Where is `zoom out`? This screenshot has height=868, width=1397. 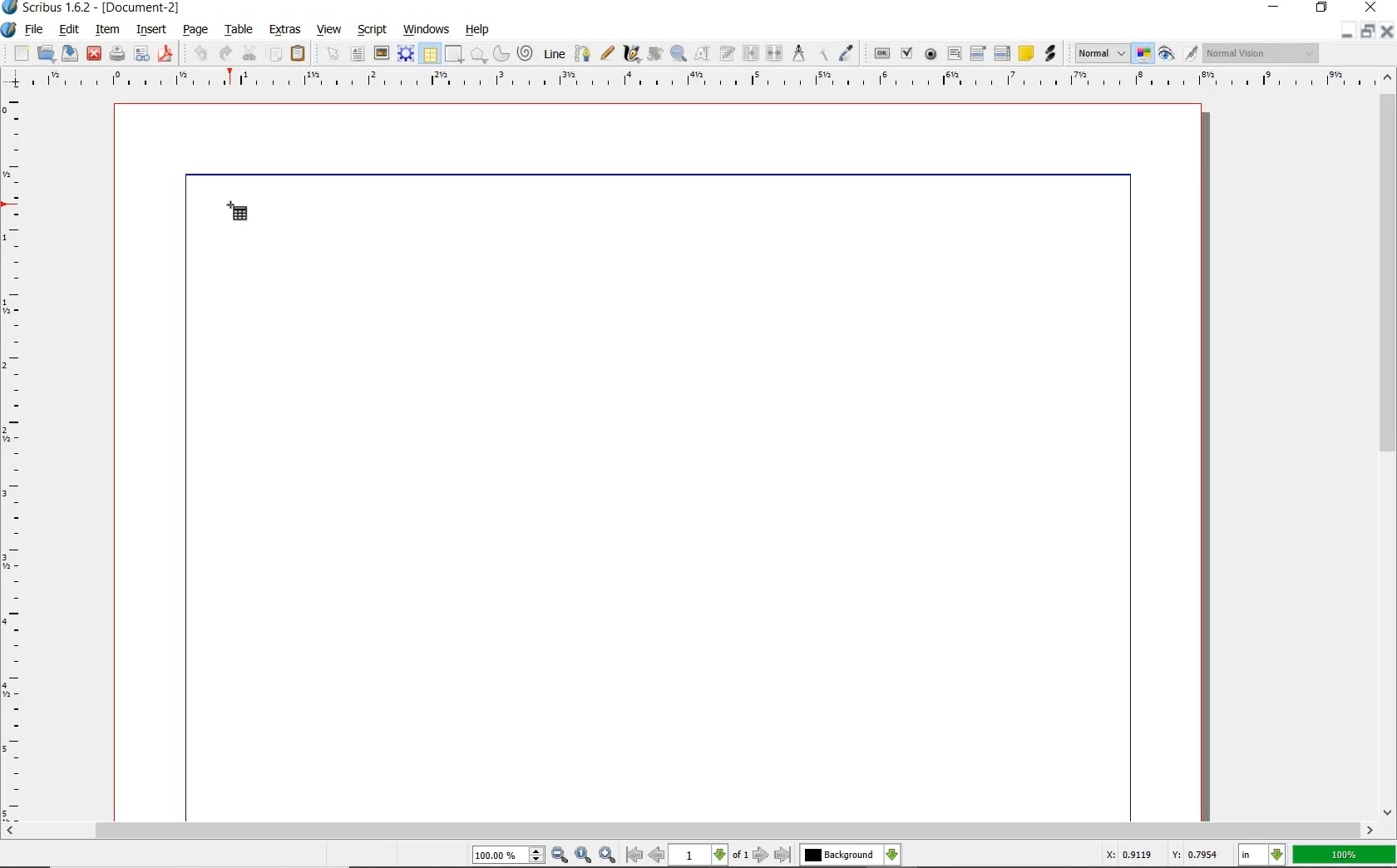
zoom out is located at coordinates (560, 856).